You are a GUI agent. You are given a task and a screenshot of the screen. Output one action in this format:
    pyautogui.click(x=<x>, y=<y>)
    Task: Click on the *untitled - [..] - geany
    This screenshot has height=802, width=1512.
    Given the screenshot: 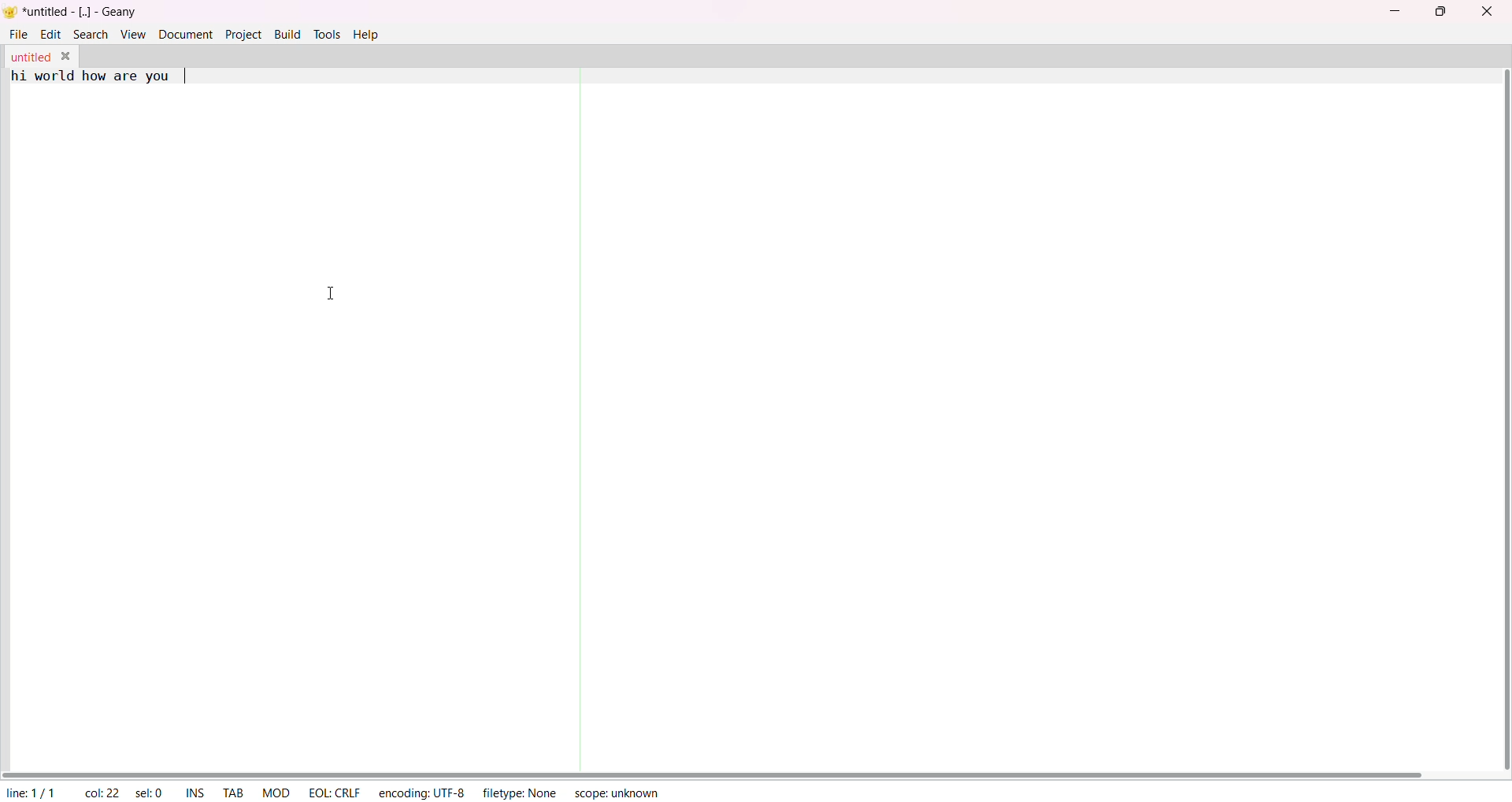 What is the action you would take?
    pyautogui.click(x=82, y=12)
    